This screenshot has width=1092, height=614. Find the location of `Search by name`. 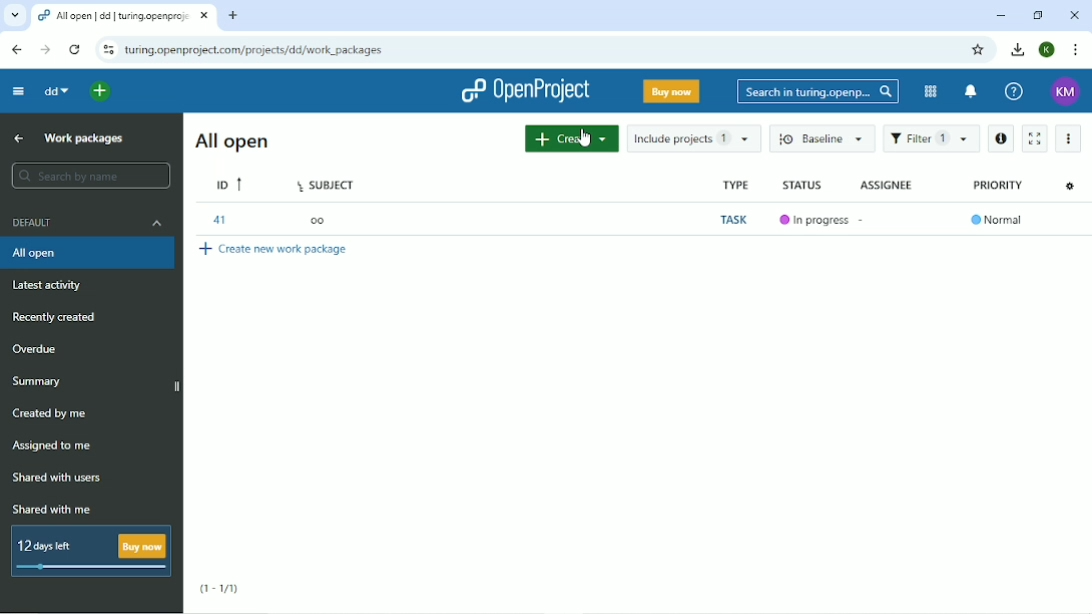

Search by name is located at coordinates (92, 175).